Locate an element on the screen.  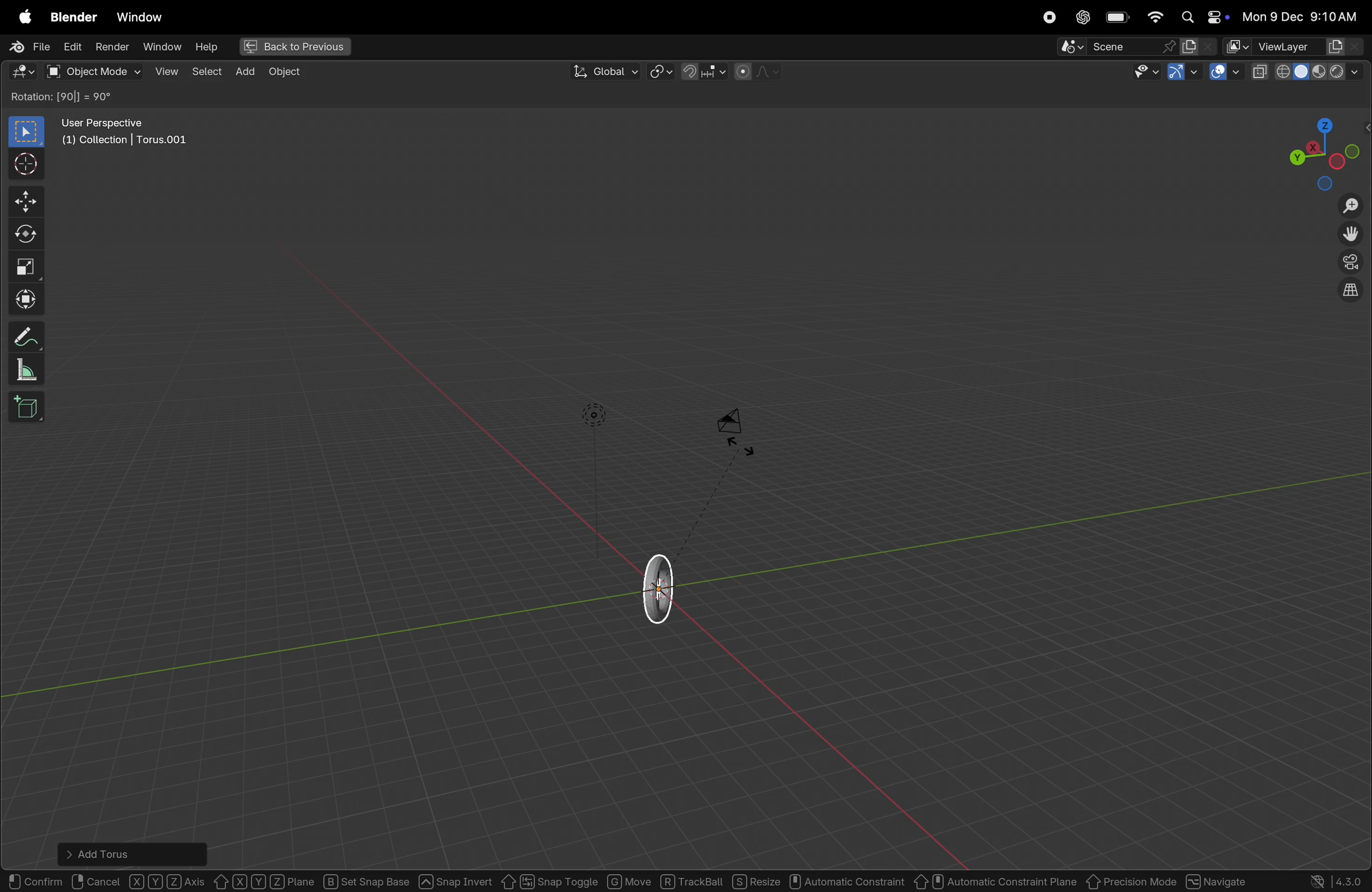
object is located at coordinates (285, 72).